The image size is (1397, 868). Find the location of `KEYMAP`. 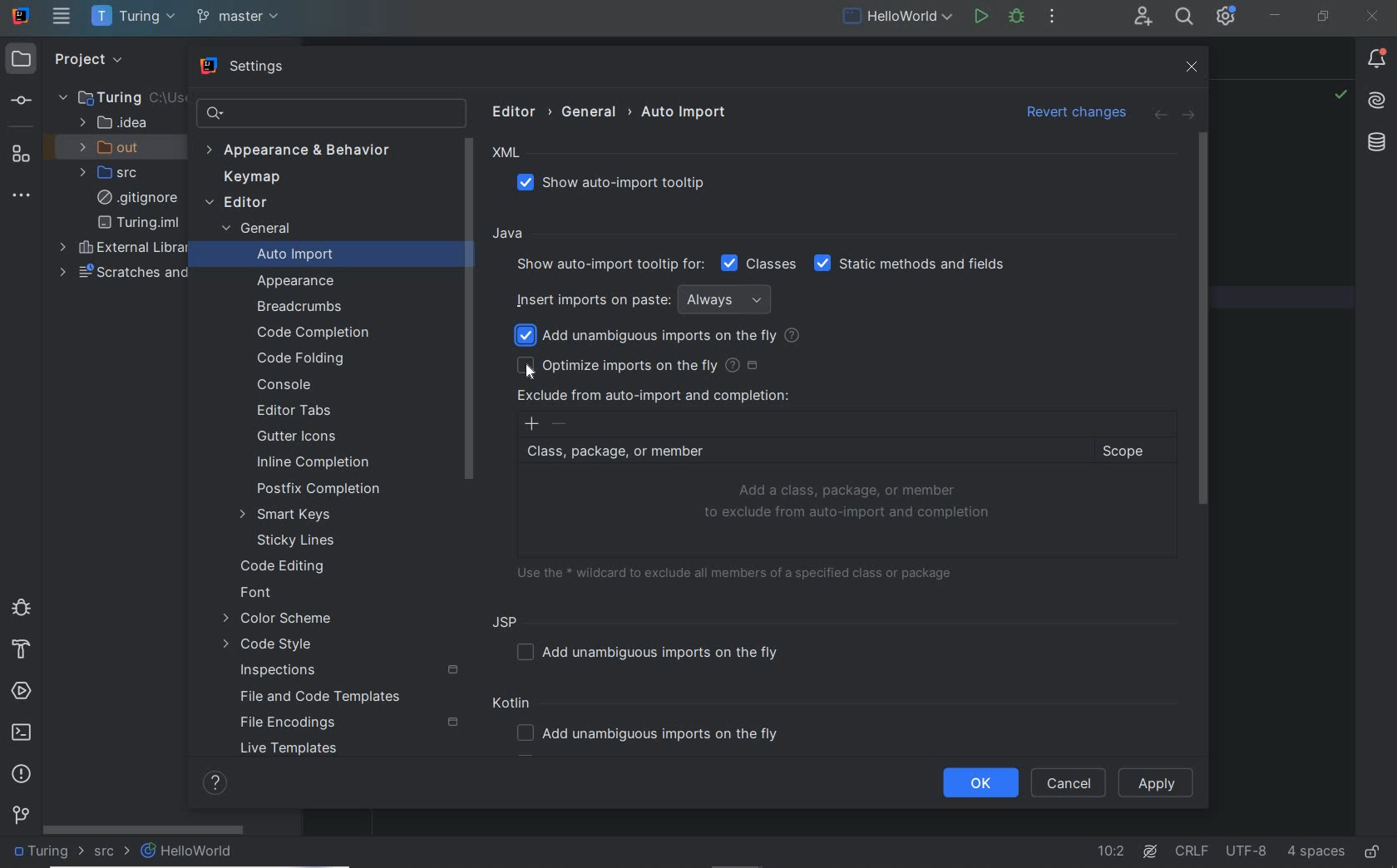

KEYMAP is located at coordinates (248, 179).